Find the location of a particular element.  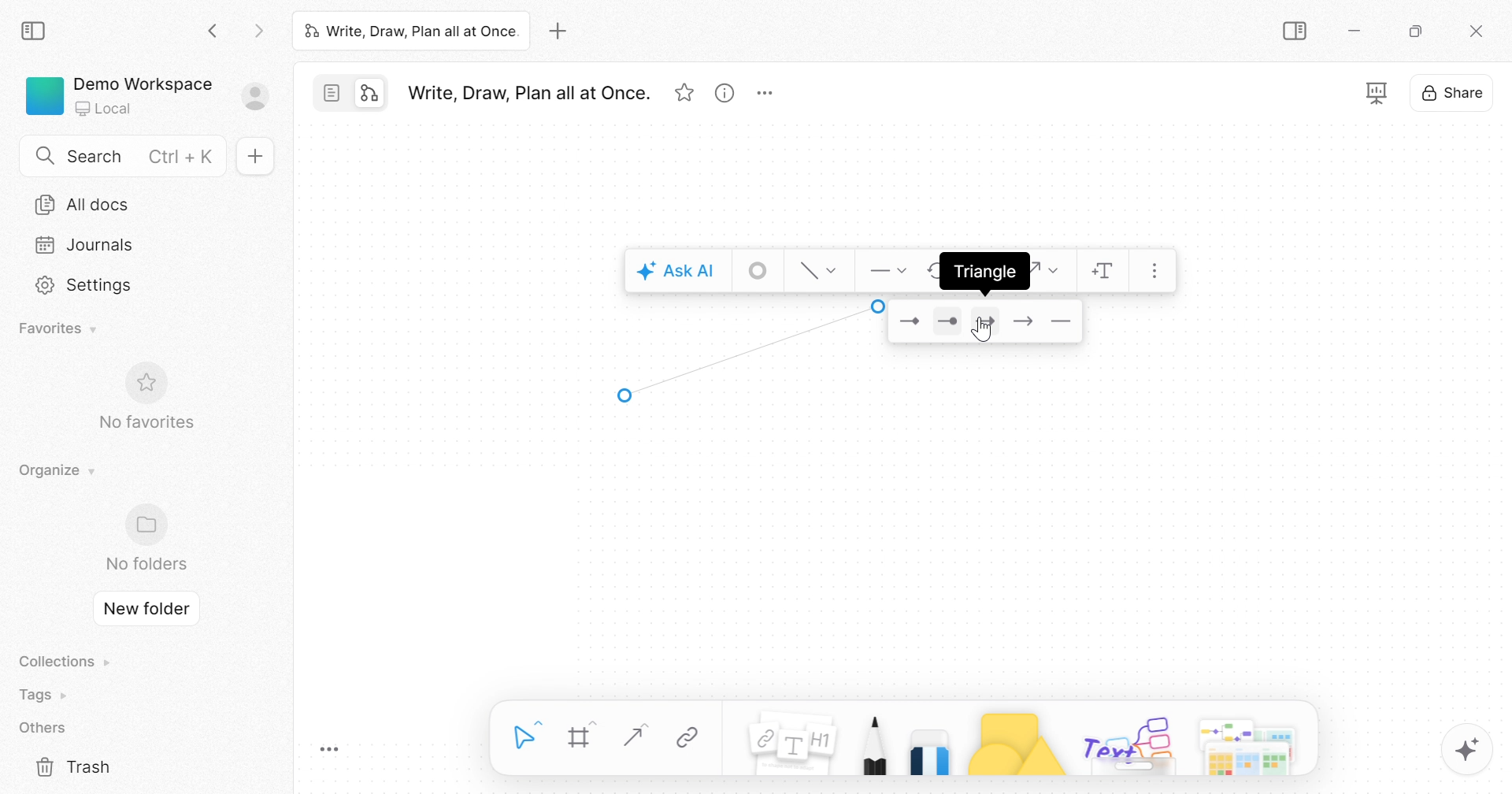

View info is located at coordinates (724, 96).